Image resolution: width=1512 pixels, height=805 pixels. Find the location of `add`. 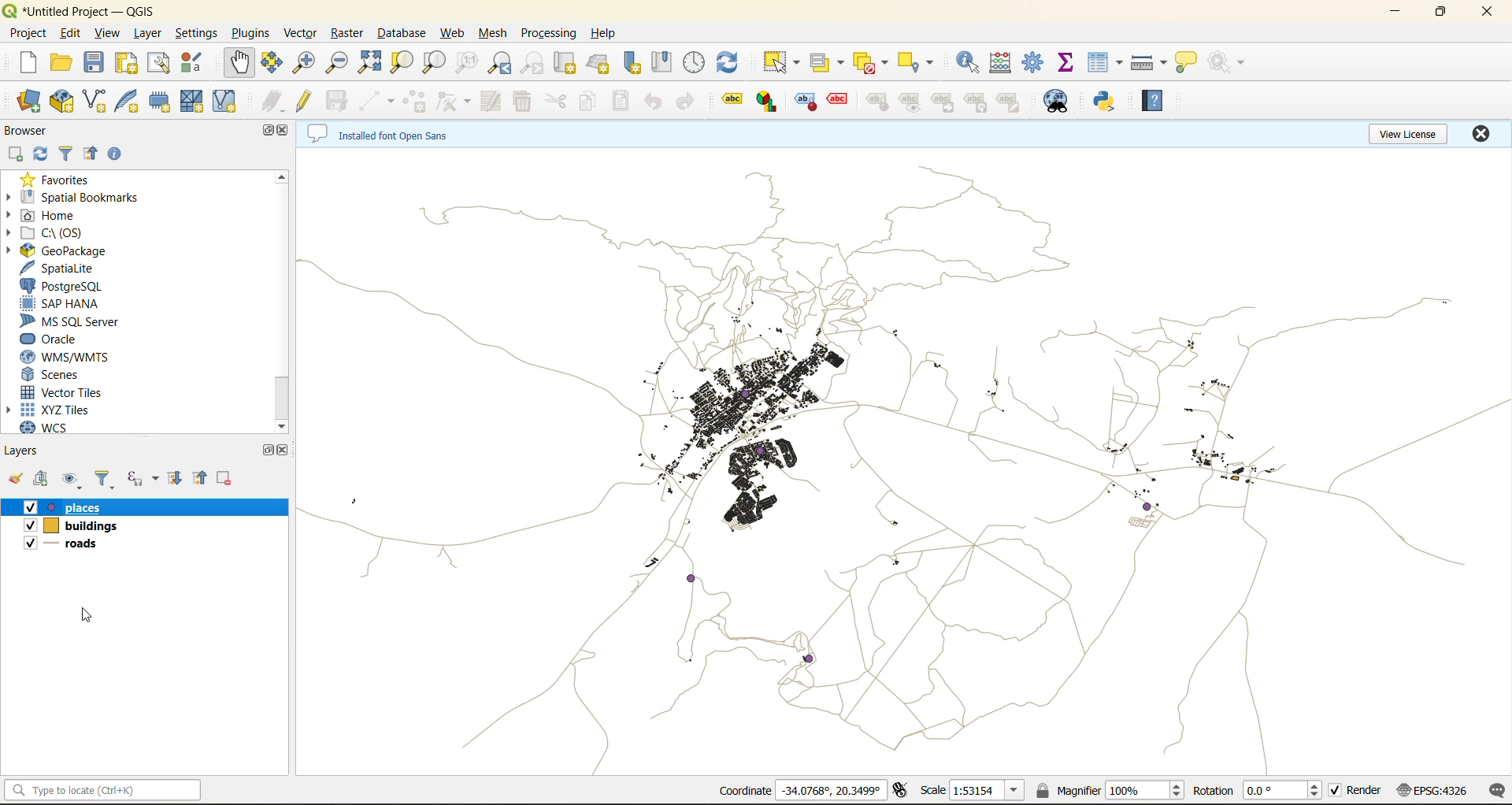

add is located at coordinates (43, 480).